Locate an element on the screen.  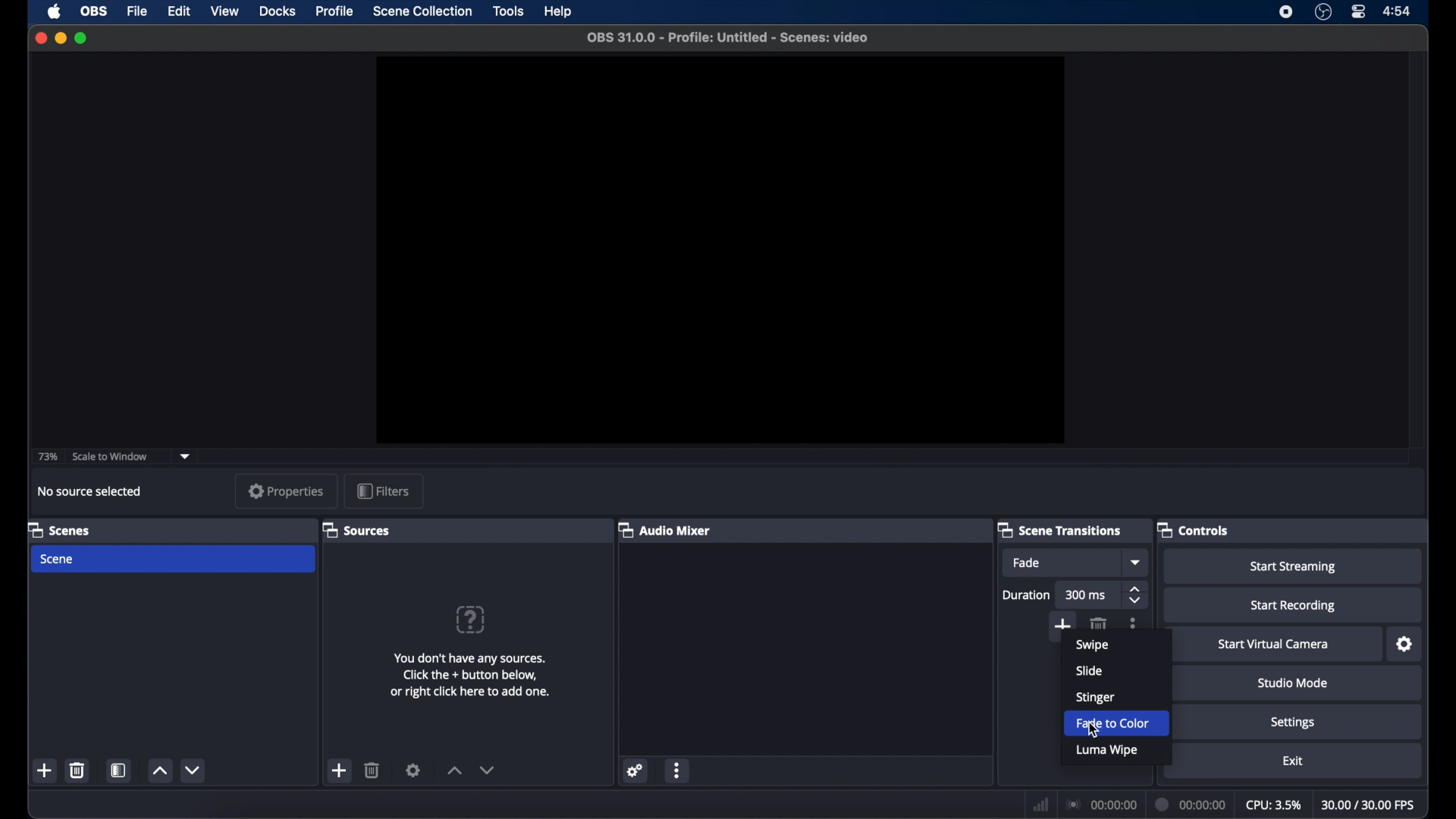
more options is located at coordinates (678, 770).